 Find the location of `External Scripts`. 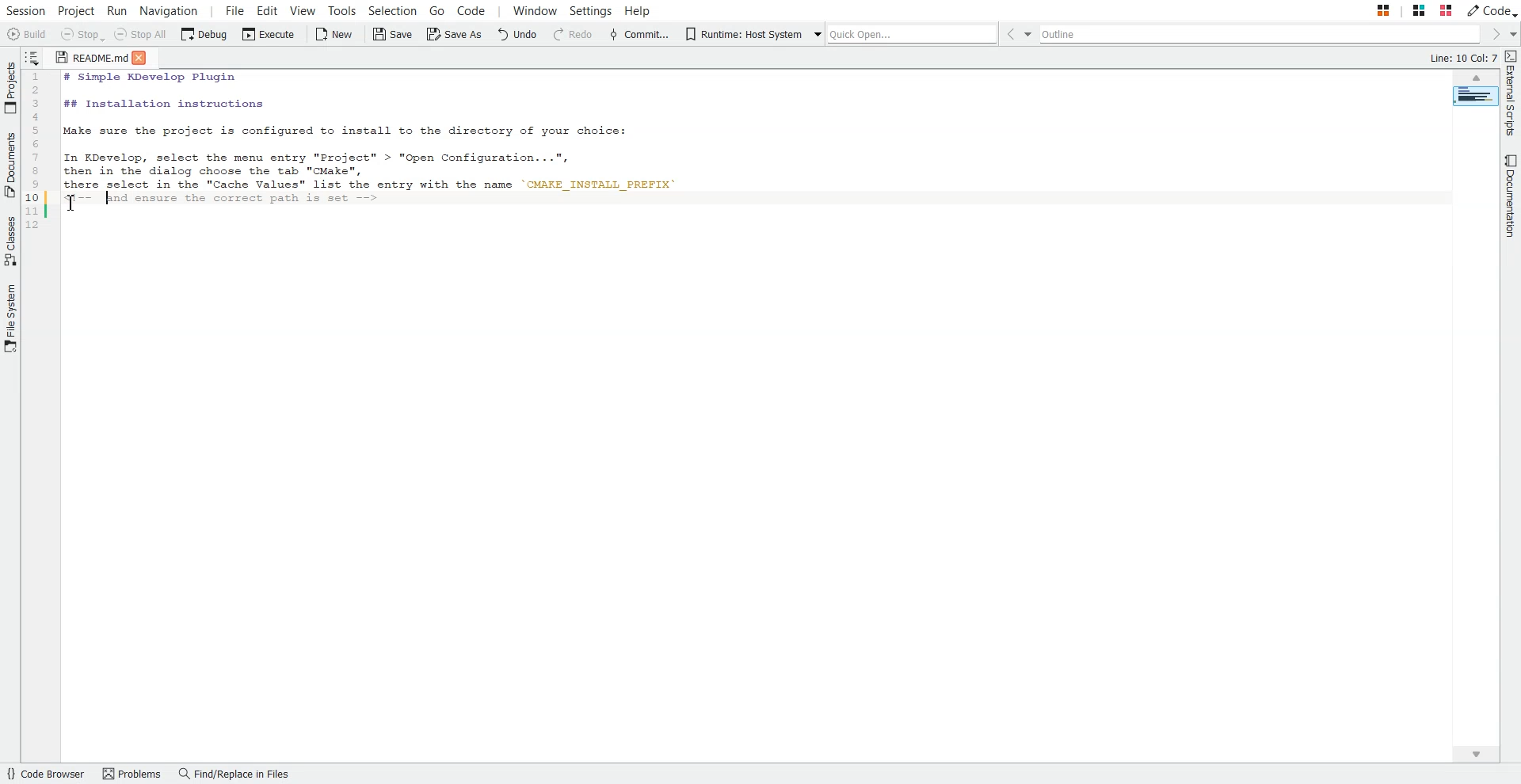

External Scripts is located at coordinates (1511, 93).